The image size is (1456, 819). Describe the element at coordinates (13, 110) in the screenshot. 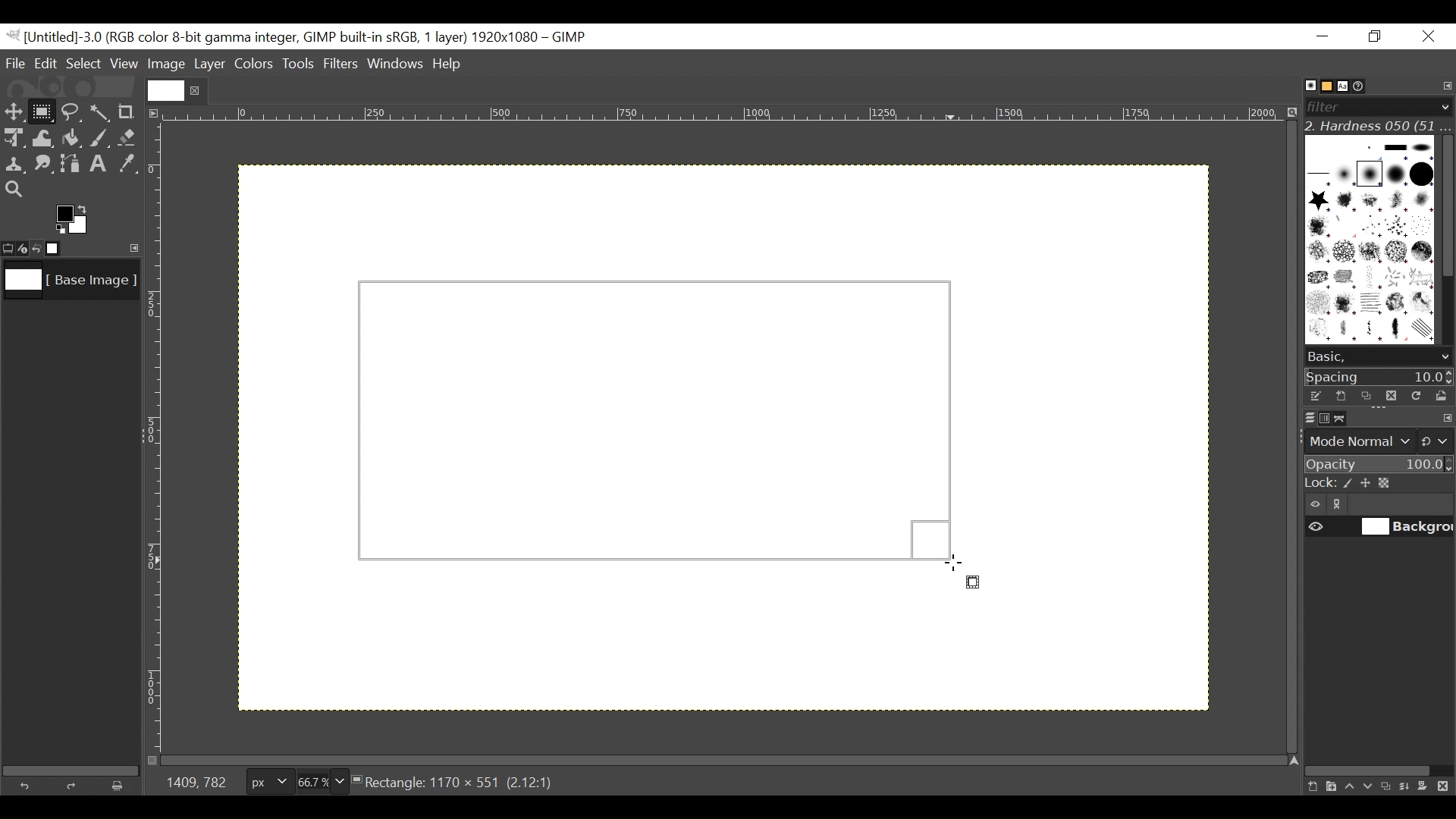

I see `Move tool` at that location.